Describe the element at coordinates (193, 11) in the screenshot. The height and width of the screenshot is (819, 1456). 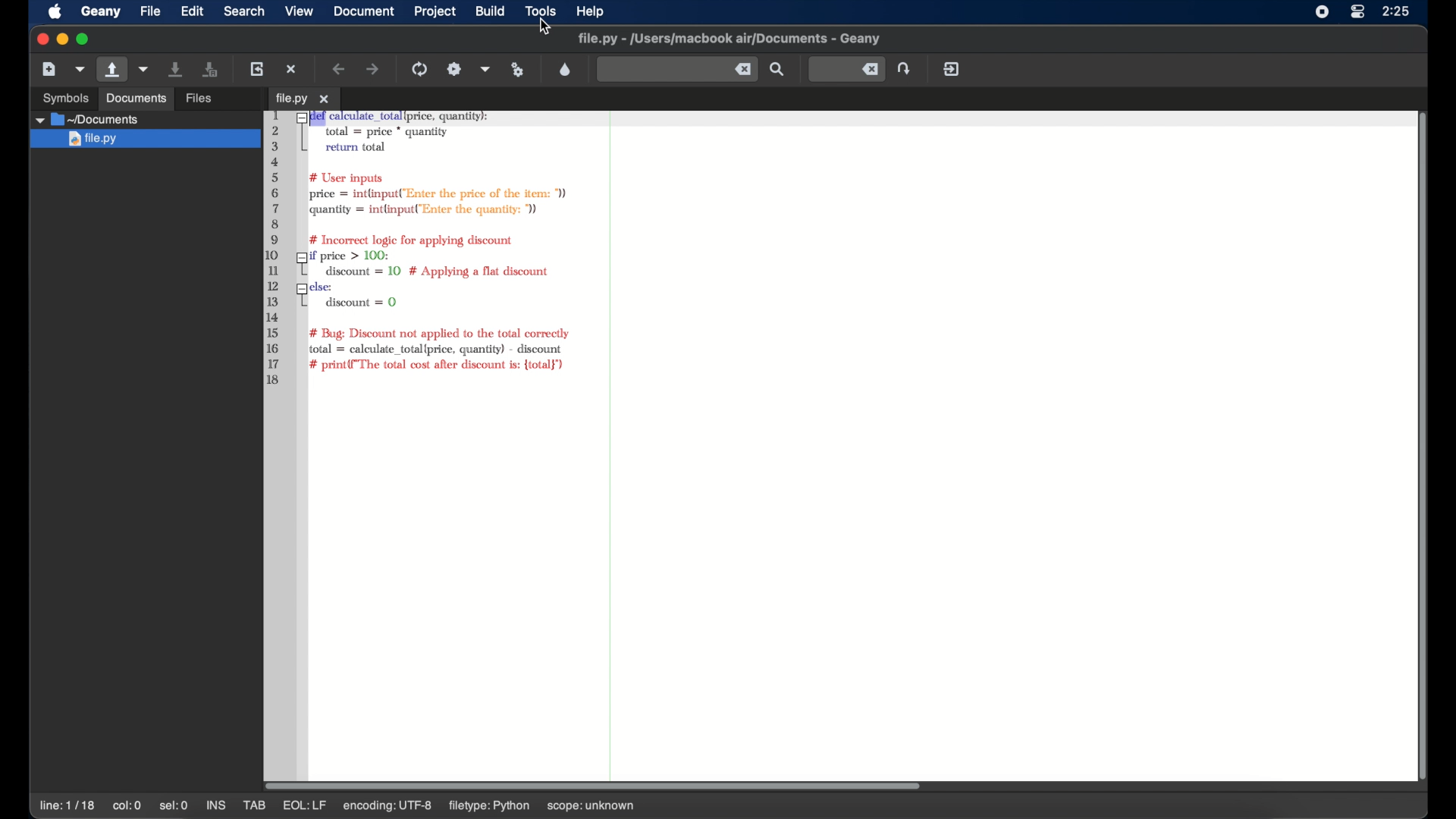
I see `edit` at that location.